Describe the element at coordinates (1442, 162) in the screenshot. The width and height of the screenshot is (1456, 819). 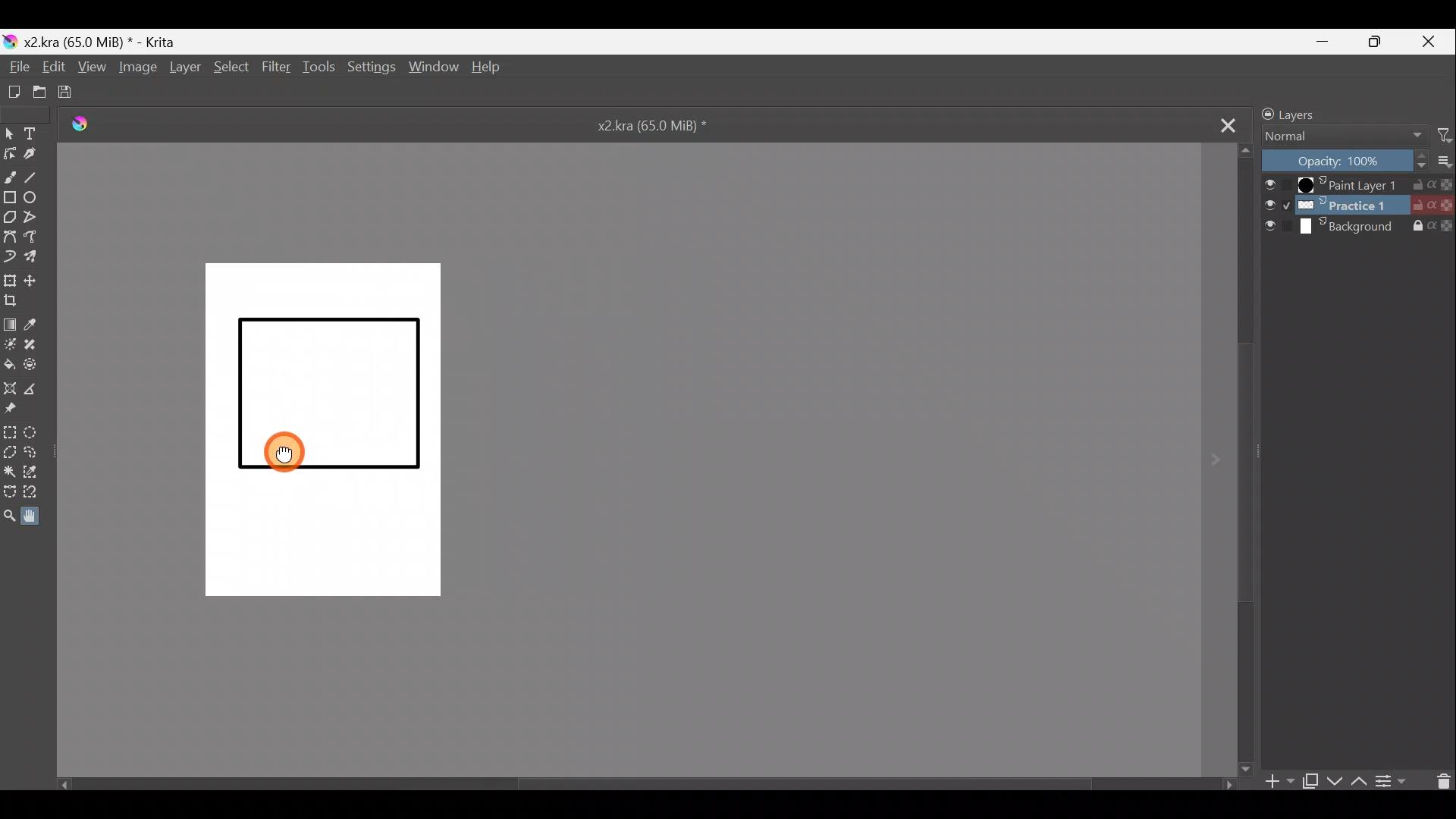
I see `More` at that location.